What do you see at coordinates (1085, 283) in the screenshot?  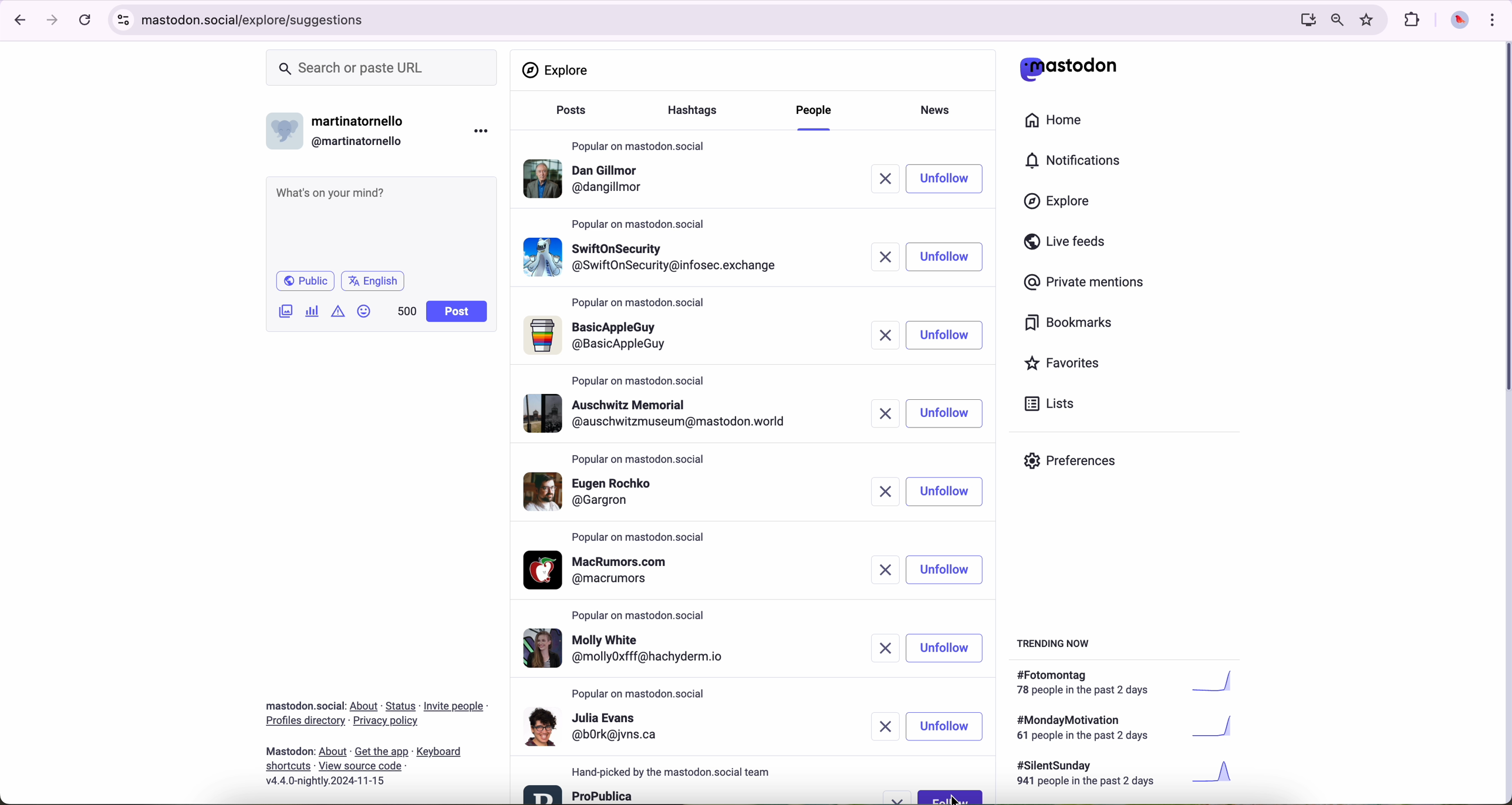 I see `private mentions` at bounding box center [1085, 283].